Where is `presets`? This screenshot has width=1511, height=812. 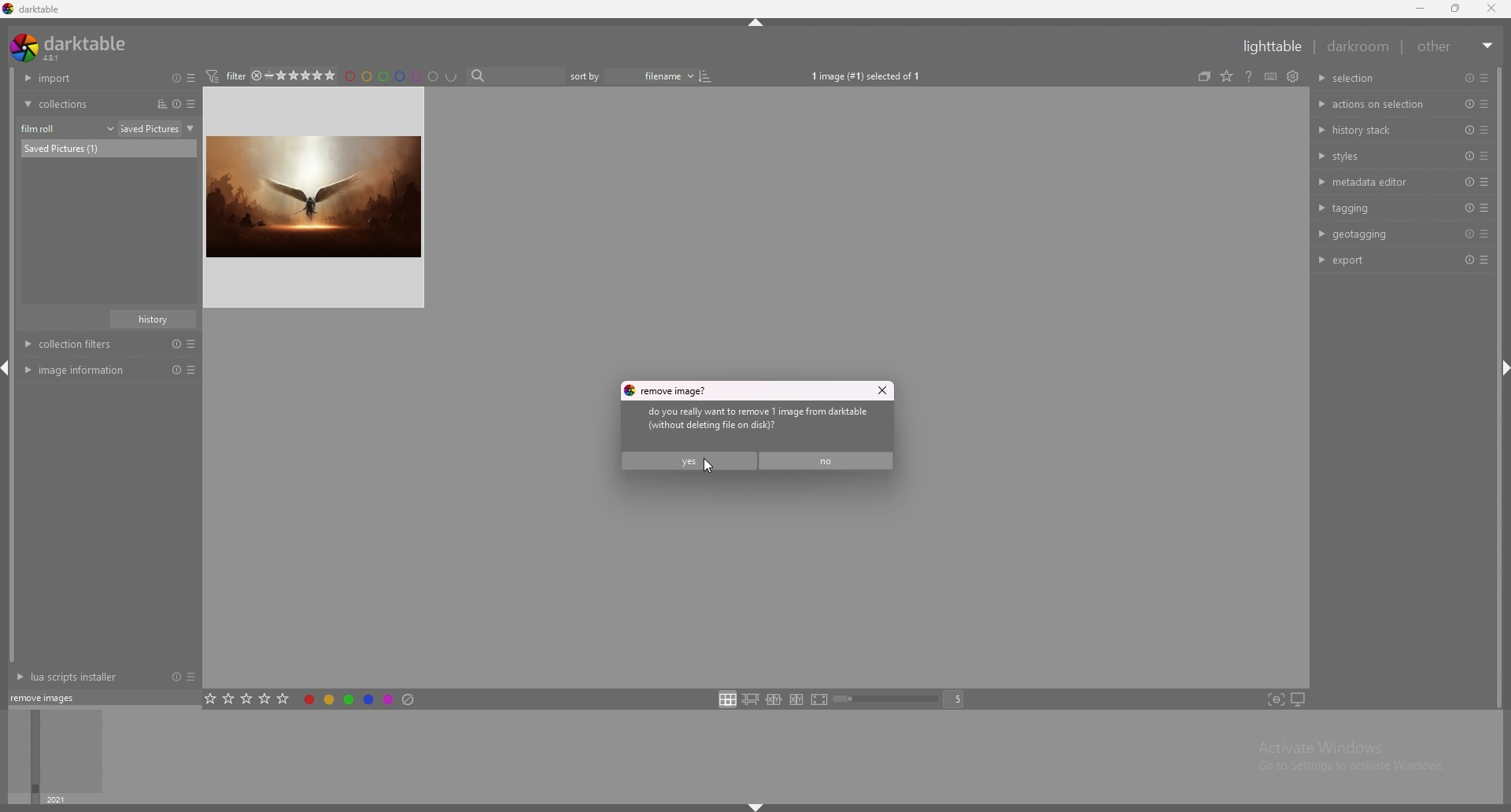 presets is located at coordinates (1482, 78).